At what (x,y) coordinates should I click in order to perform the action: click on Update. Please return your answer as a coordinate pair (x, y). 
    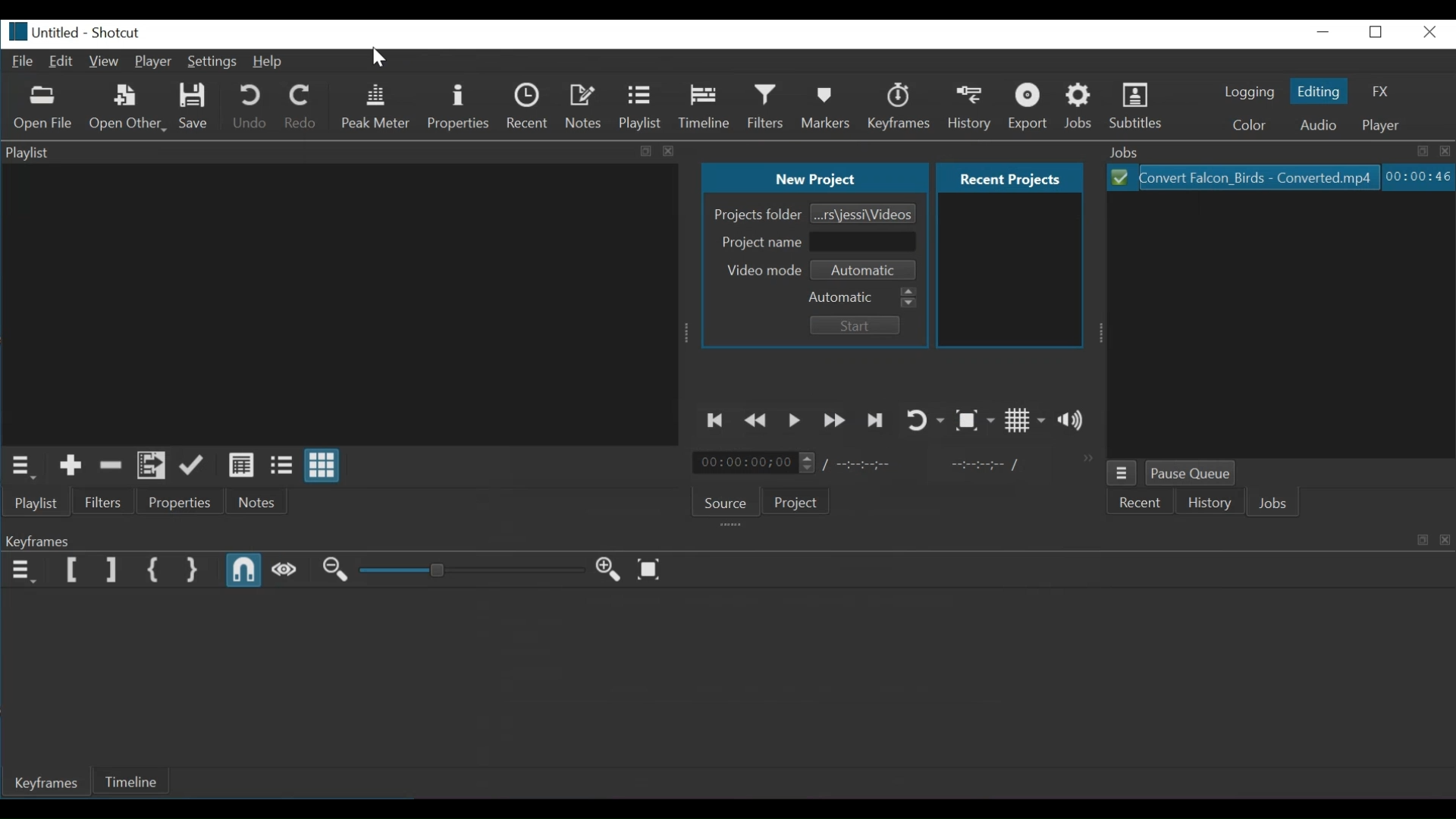
    Looking at the image, I should click on (193, 466).